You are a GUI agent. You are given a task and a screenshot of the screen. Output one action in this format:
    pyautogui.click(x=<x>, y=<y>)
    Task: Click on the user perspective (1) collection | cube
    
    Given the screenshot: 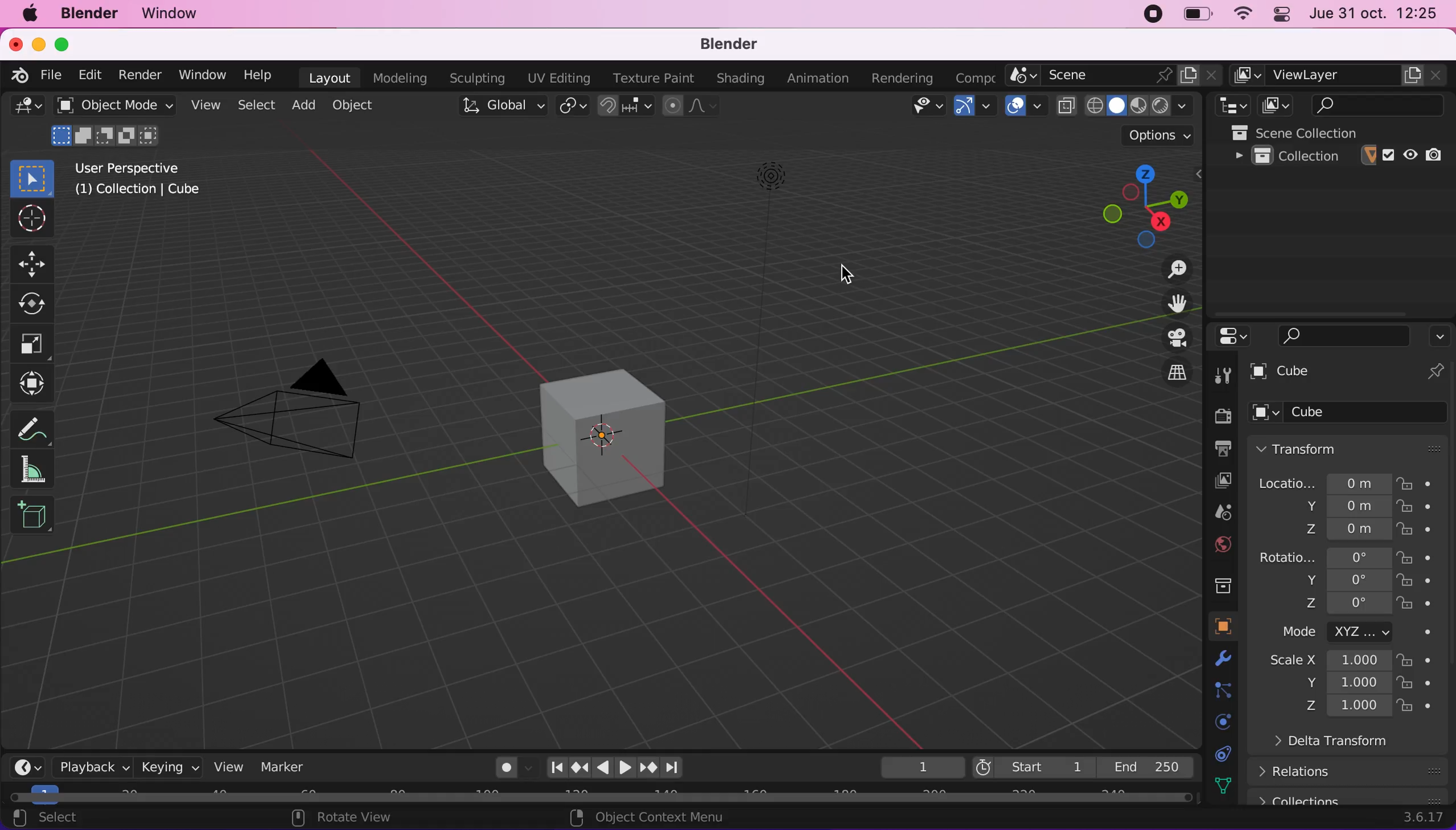 What is the action you would take?
    pyautogui.click(x=143, y=180)
    